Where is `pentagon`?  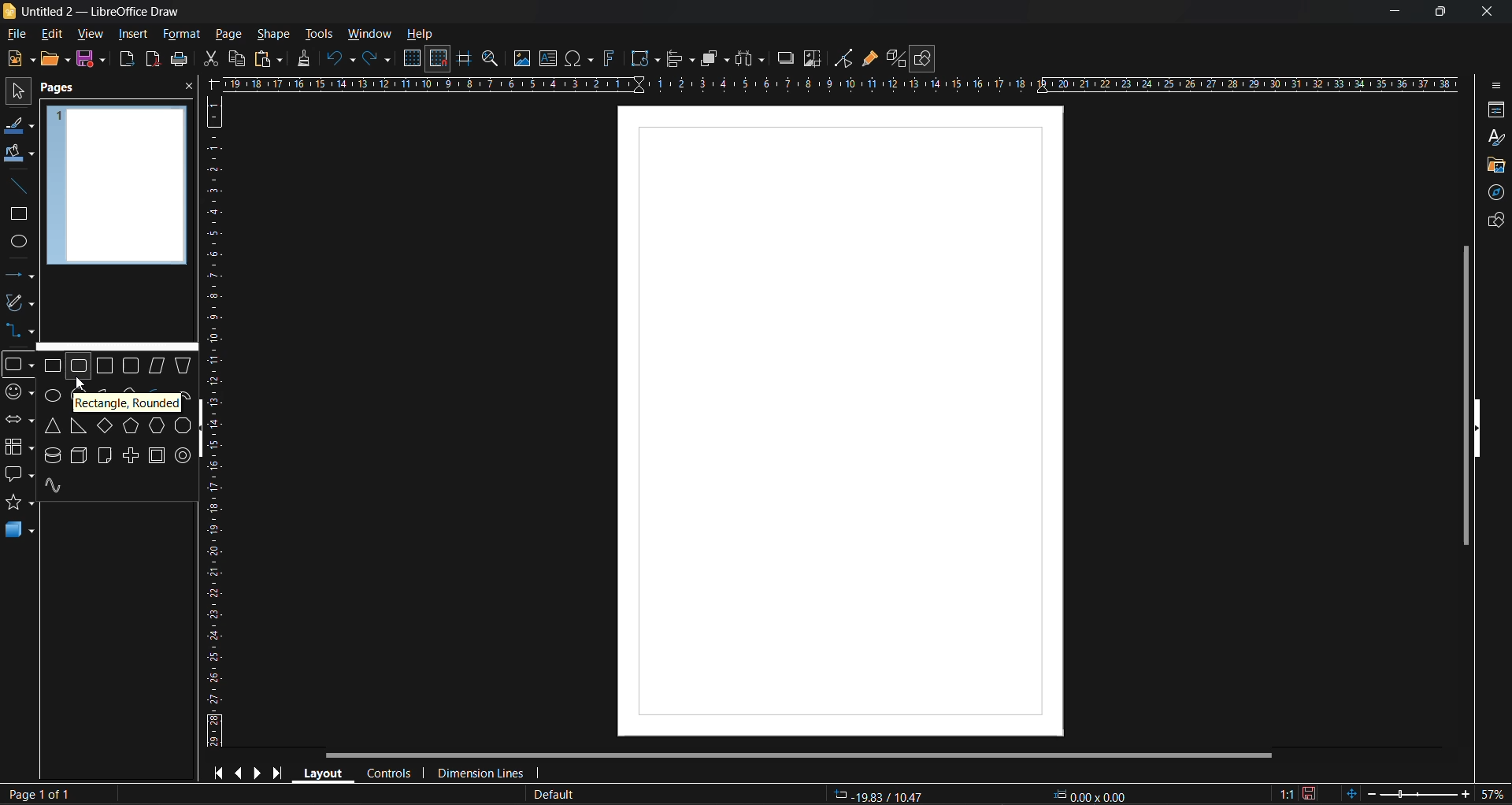 pentagon is located at coordinates (132, 428).